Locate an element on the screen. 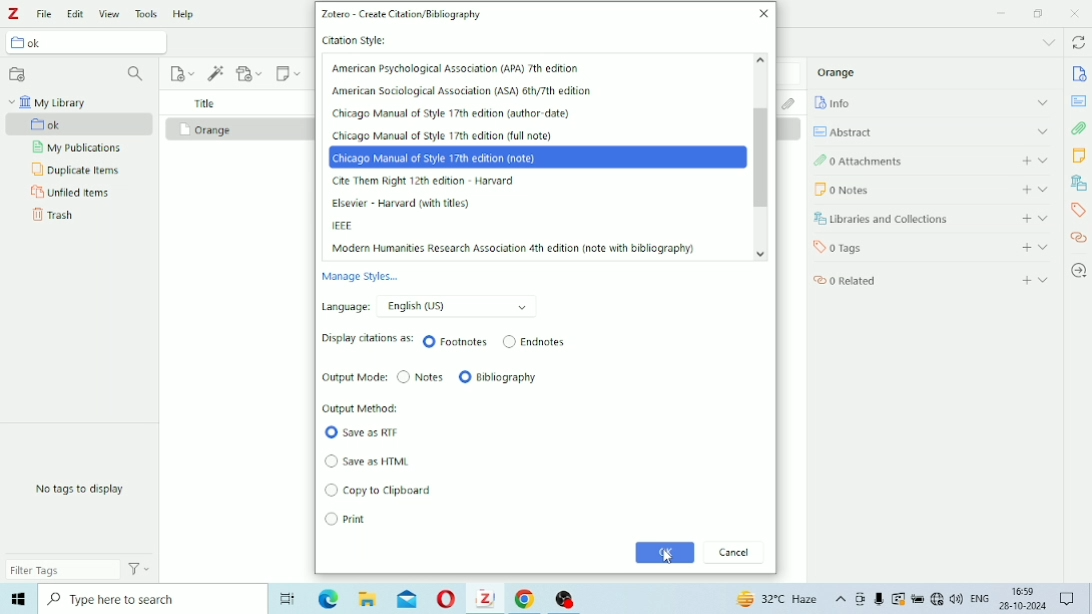  Related is located at coordinates (933, 278).